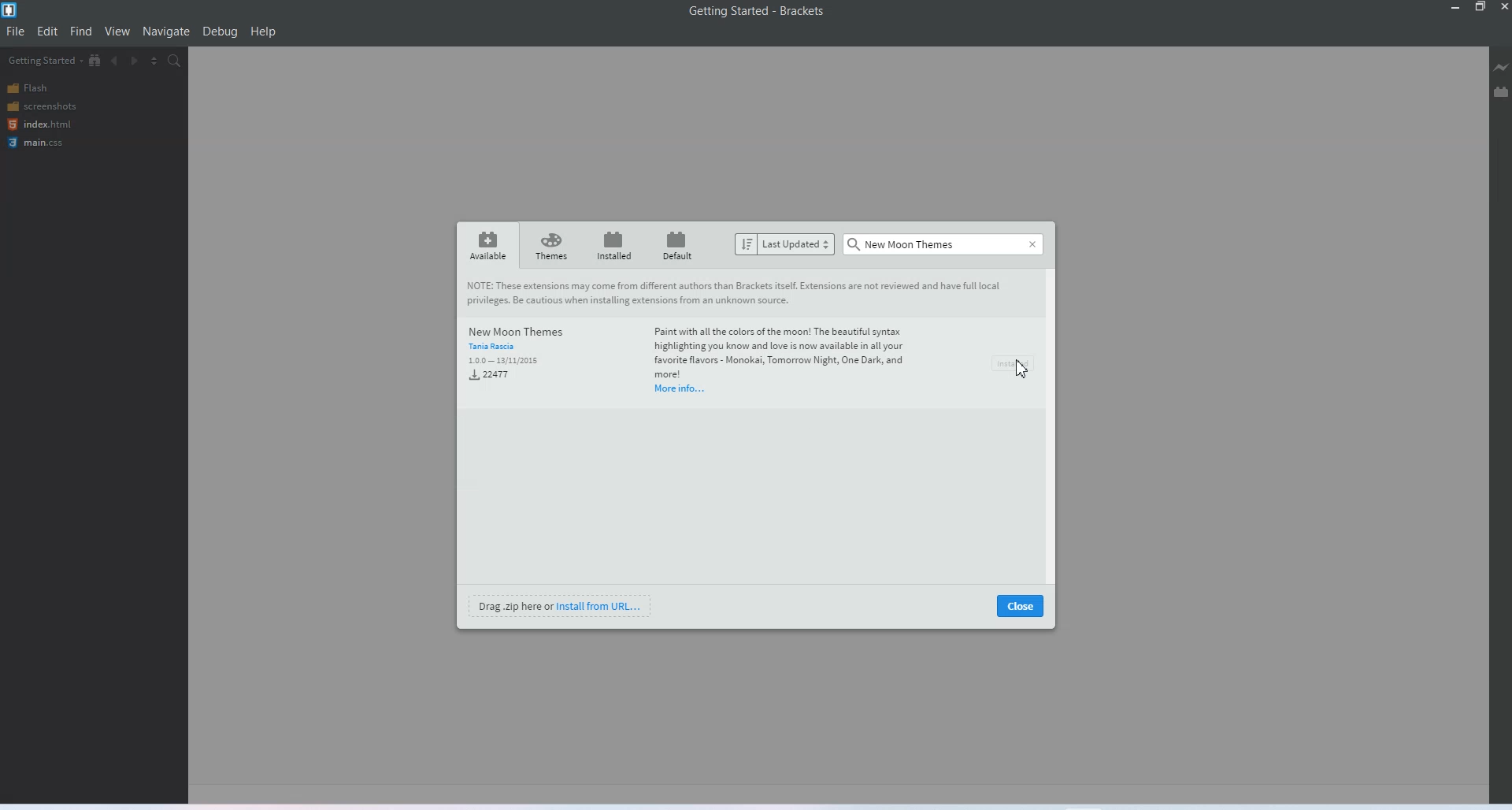  I want to click on View, so click(117, 32).